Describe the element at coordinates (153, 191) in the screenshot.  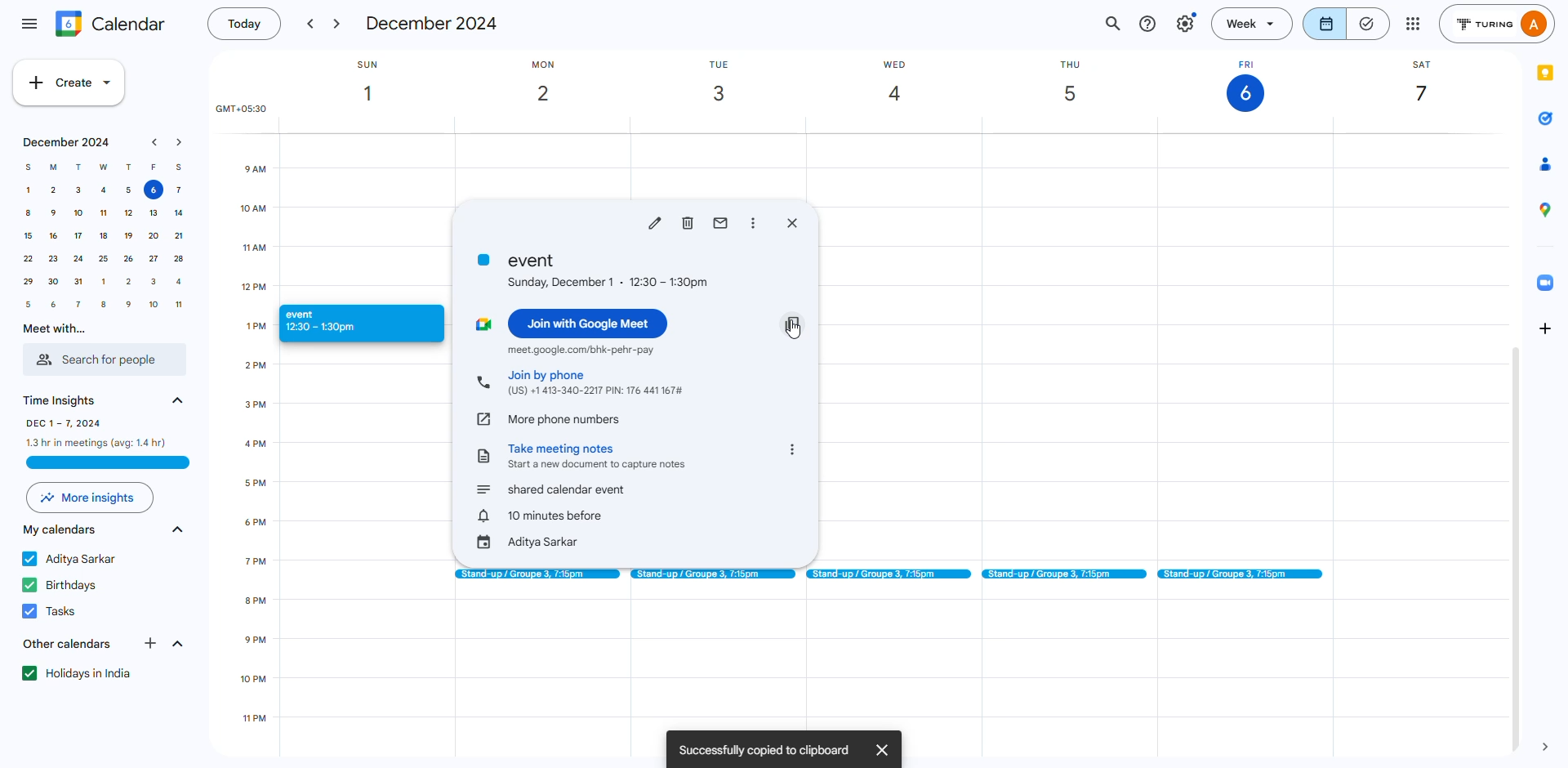
I see `6` at that location.